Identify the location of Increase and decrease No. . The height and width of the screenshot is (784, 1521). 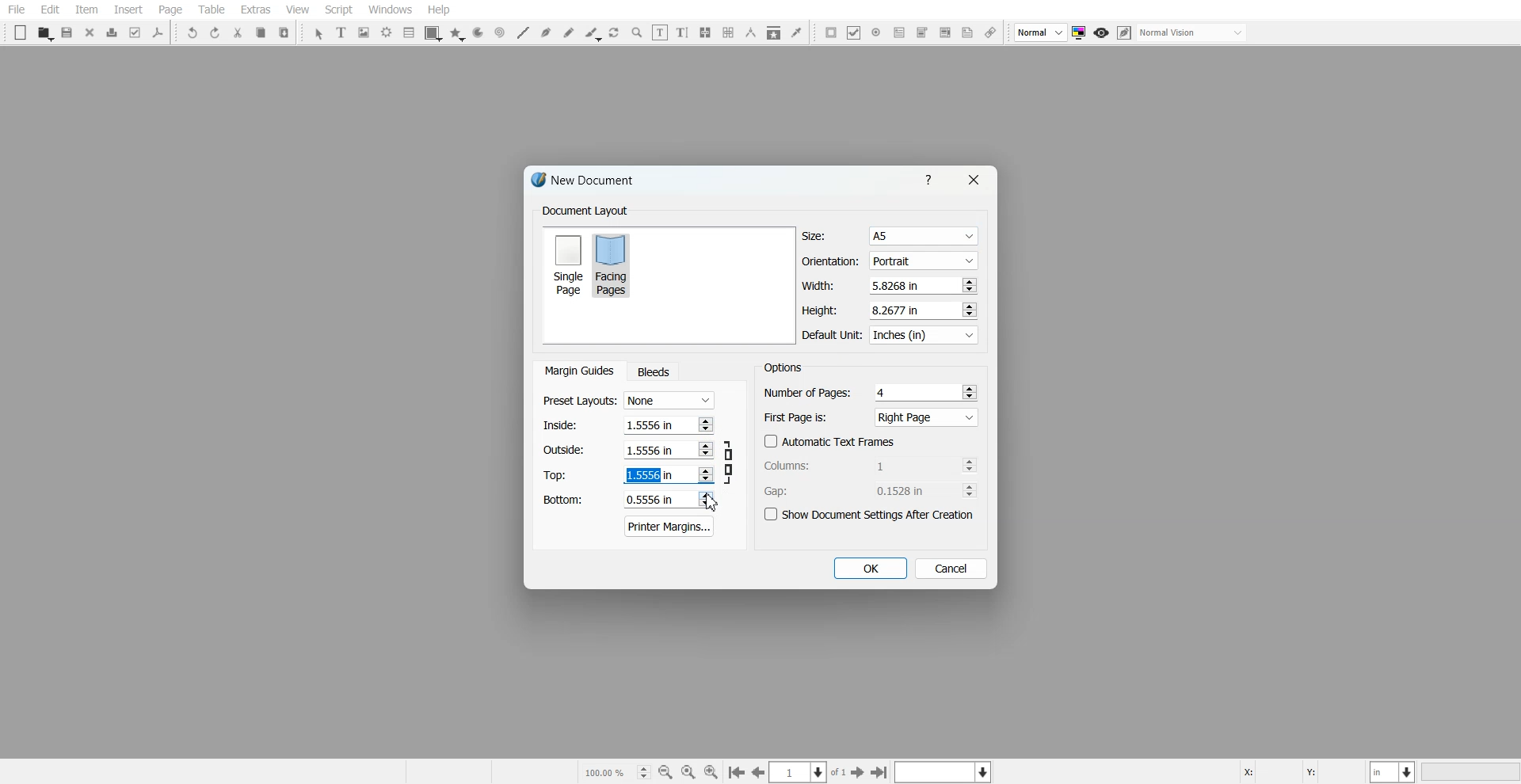
(704, 499).